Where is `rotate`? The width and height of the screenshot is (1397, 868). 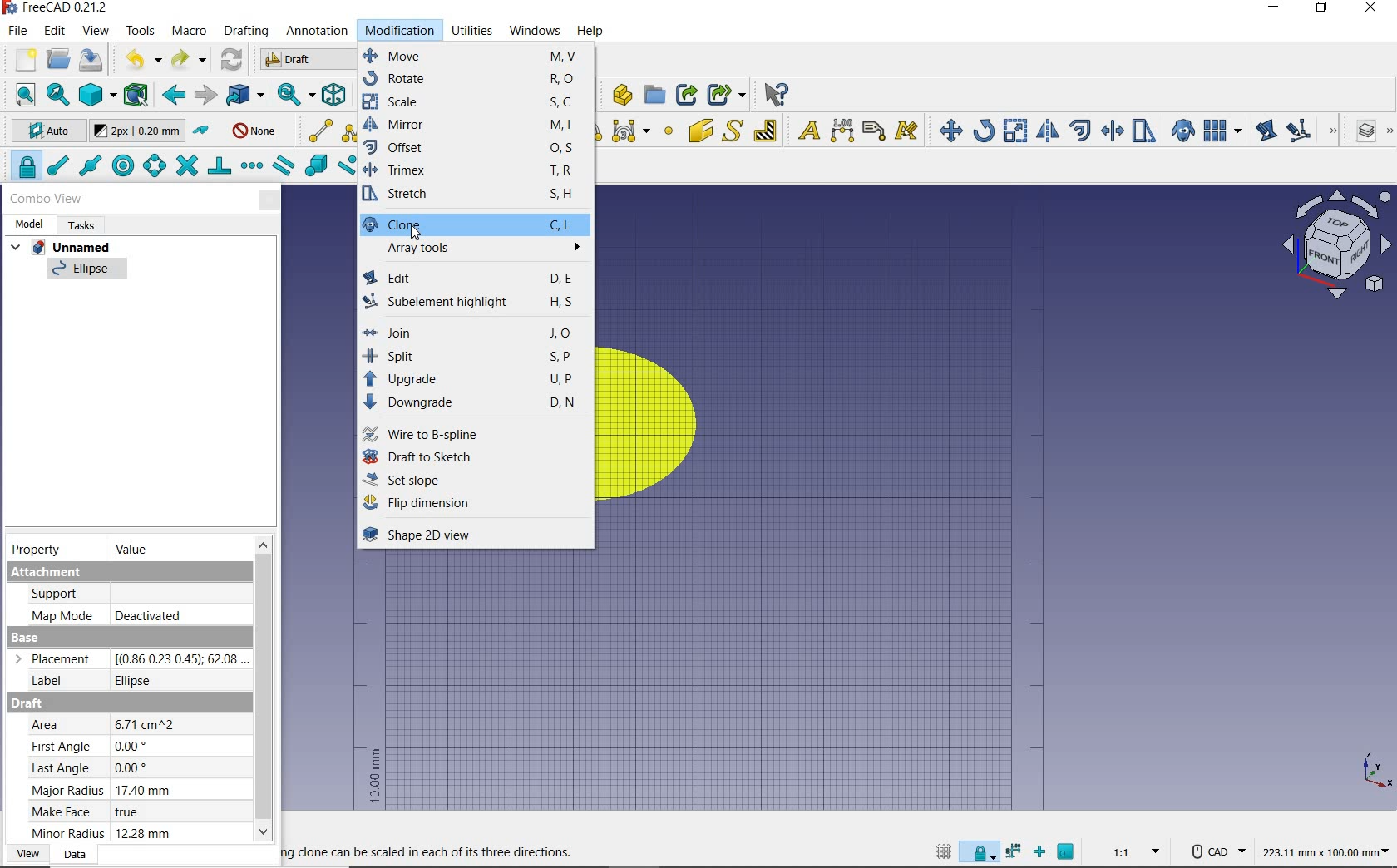 rotate is located at coordinates (984, 131).